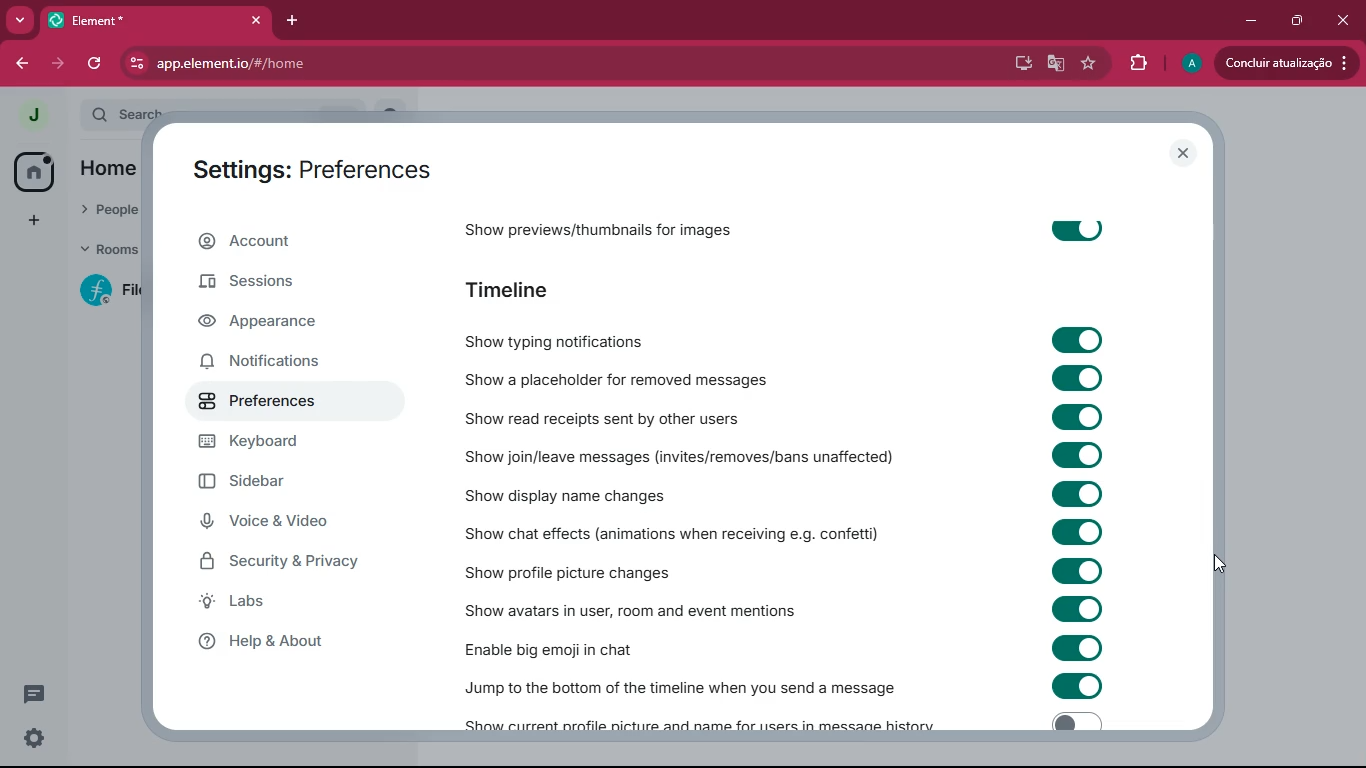  Describe the element at coordinates (1286, 62) in the screenshot. I see `concluir atualizacao` at that location.